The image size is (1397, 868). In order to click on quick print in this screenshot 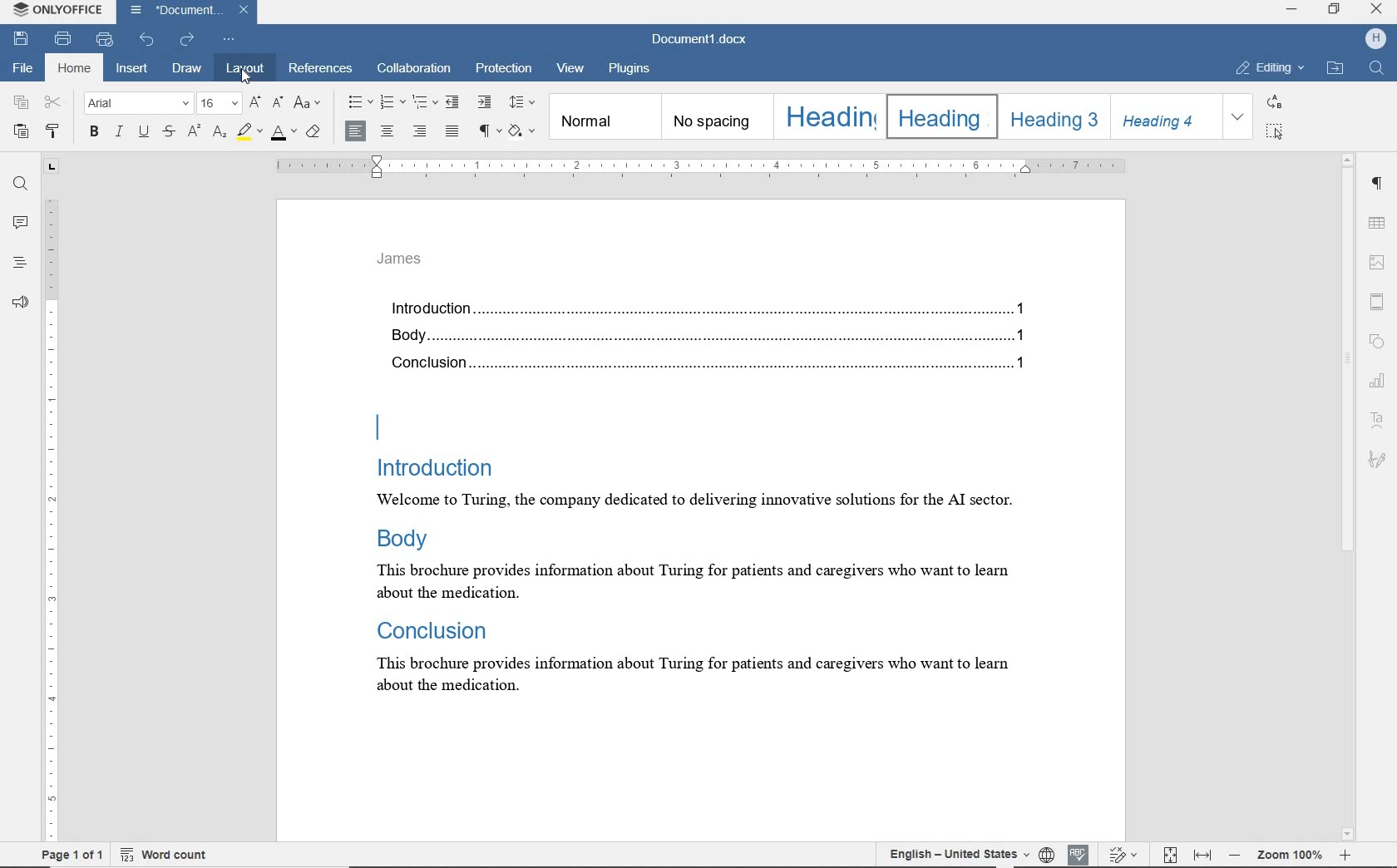, I will do `click(106, 42)`.